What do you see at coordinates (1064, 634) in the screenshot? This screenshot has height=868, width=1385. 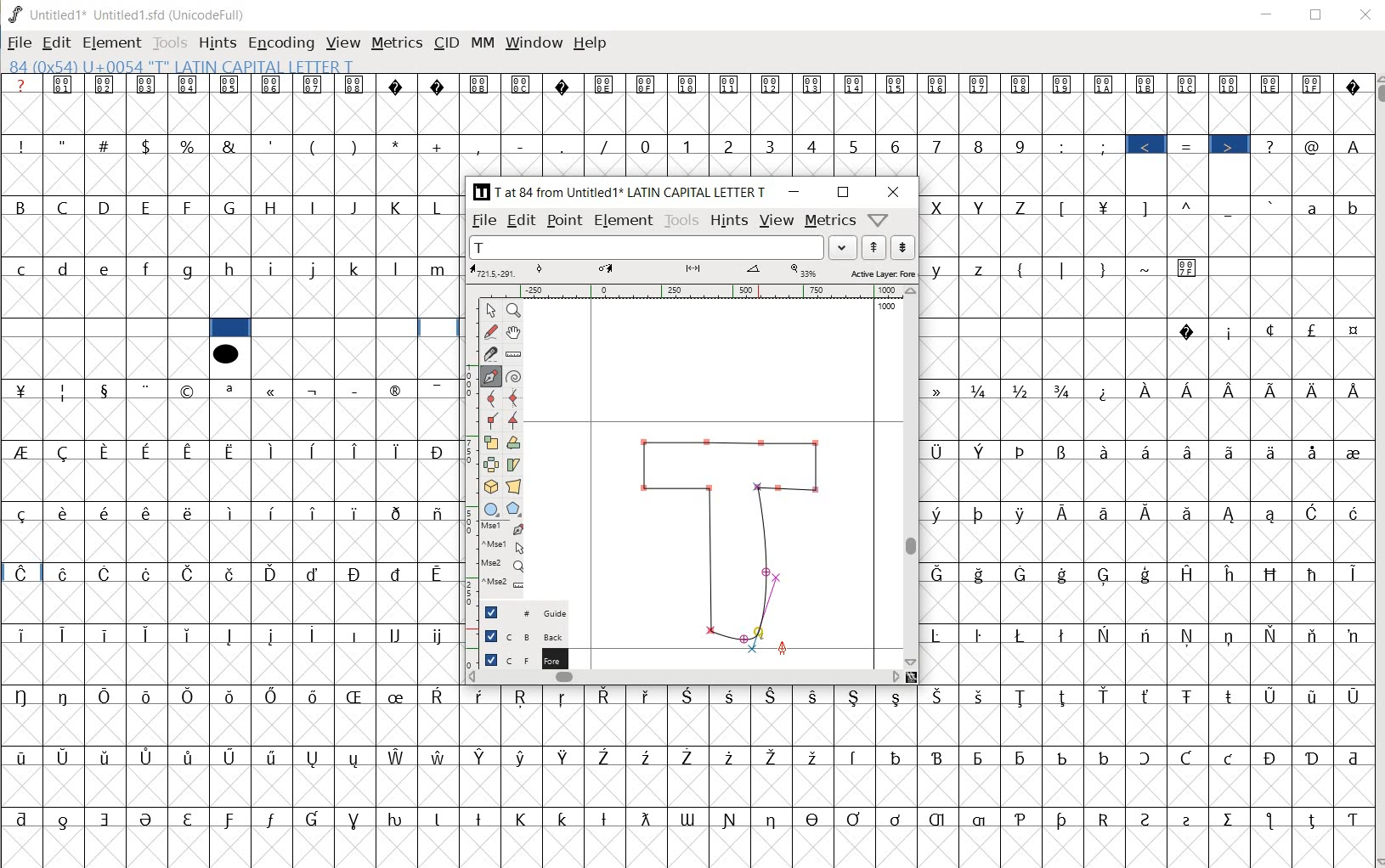 I see `Symbol` at bounding box center [1064, 634].